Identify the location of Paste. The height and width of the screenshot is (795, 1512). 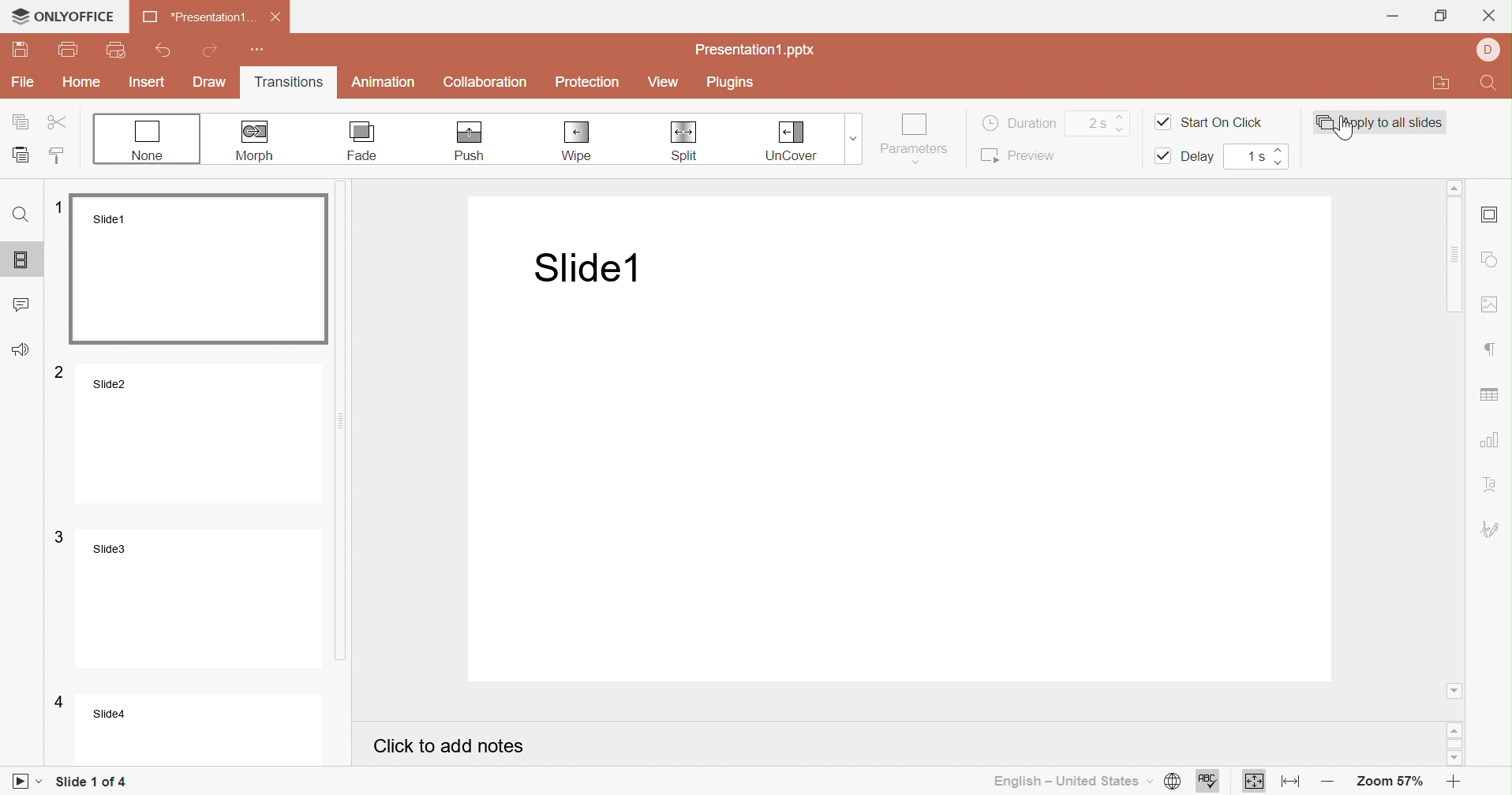
(23, 155).